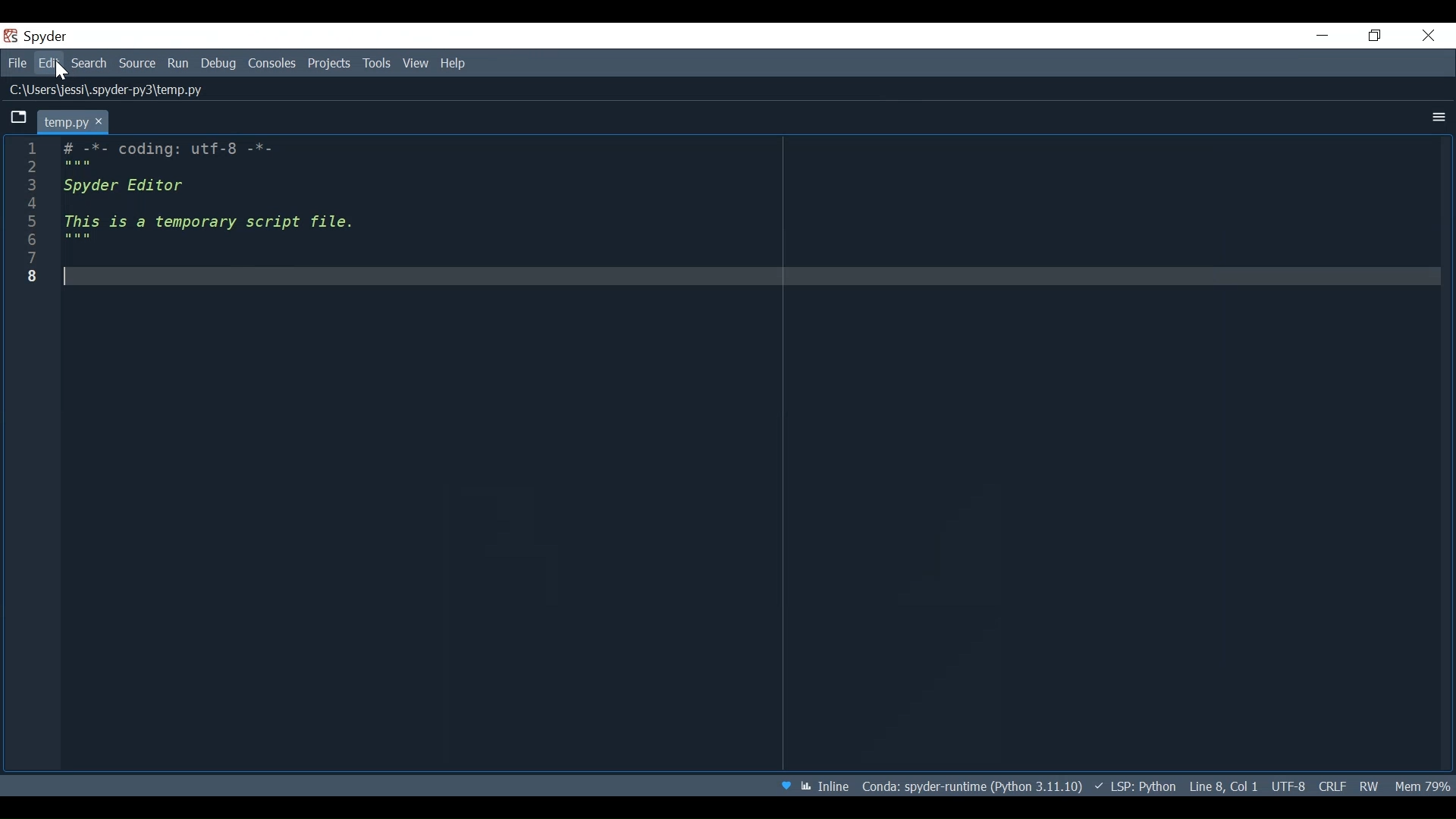  Describe the element at coordinates (17, 64) in the screenshot. I see `File` at that location.